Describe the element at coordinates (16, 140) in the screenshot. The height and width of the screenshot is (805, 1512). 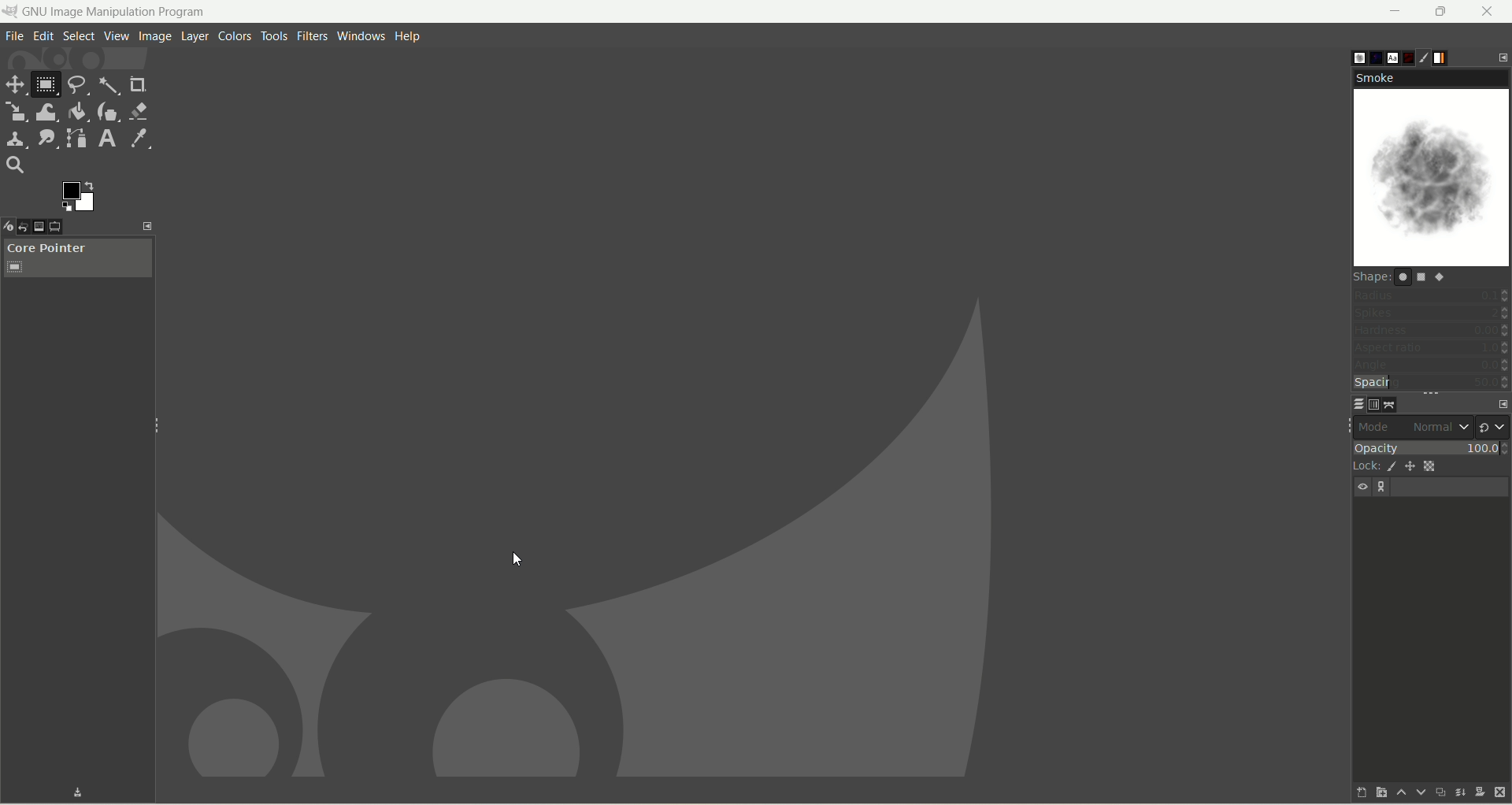
I see `clone tool` at that location.